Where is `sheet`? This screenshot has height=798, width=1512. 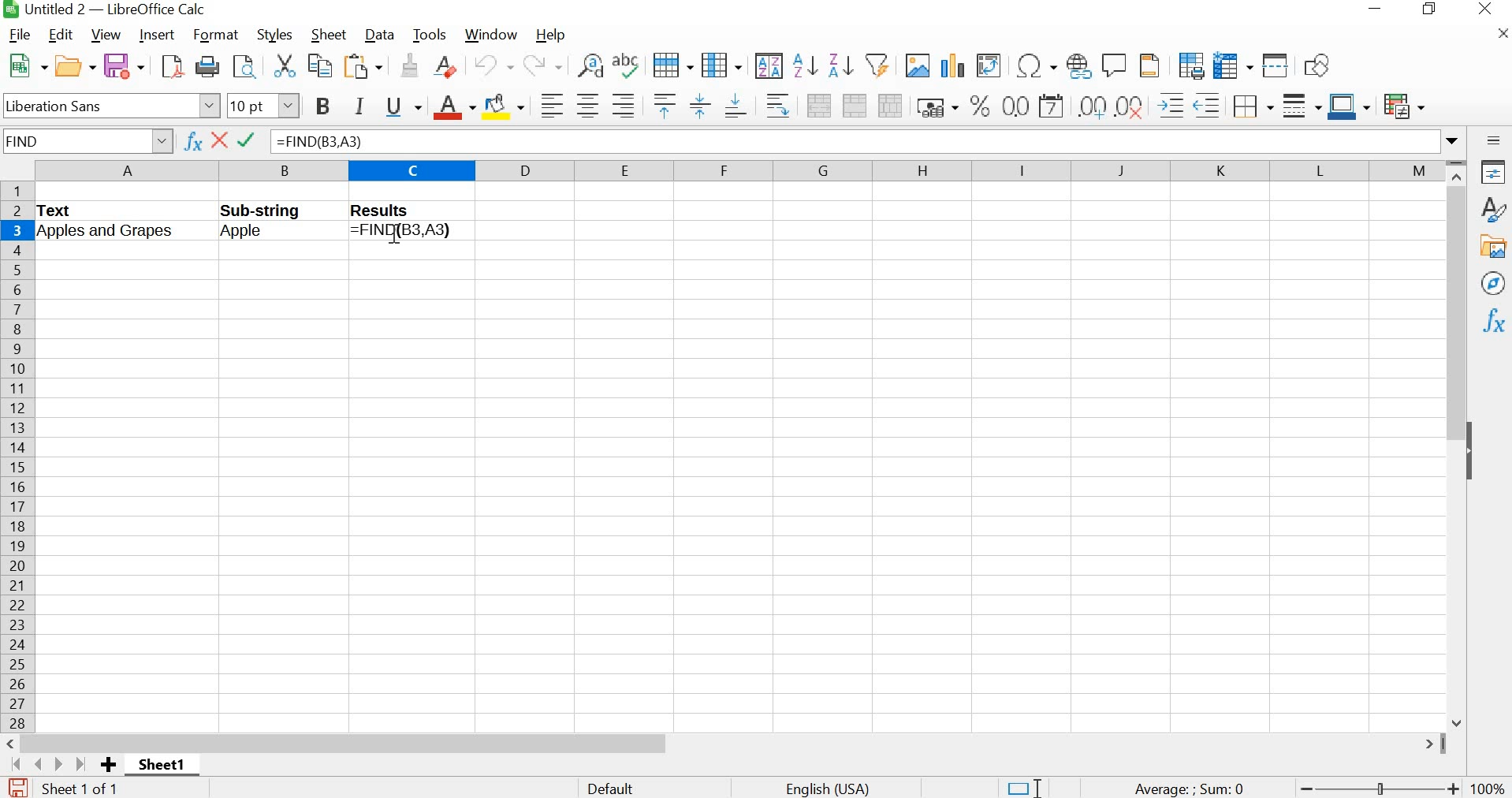
sheet is located at coordinates (326, 35).